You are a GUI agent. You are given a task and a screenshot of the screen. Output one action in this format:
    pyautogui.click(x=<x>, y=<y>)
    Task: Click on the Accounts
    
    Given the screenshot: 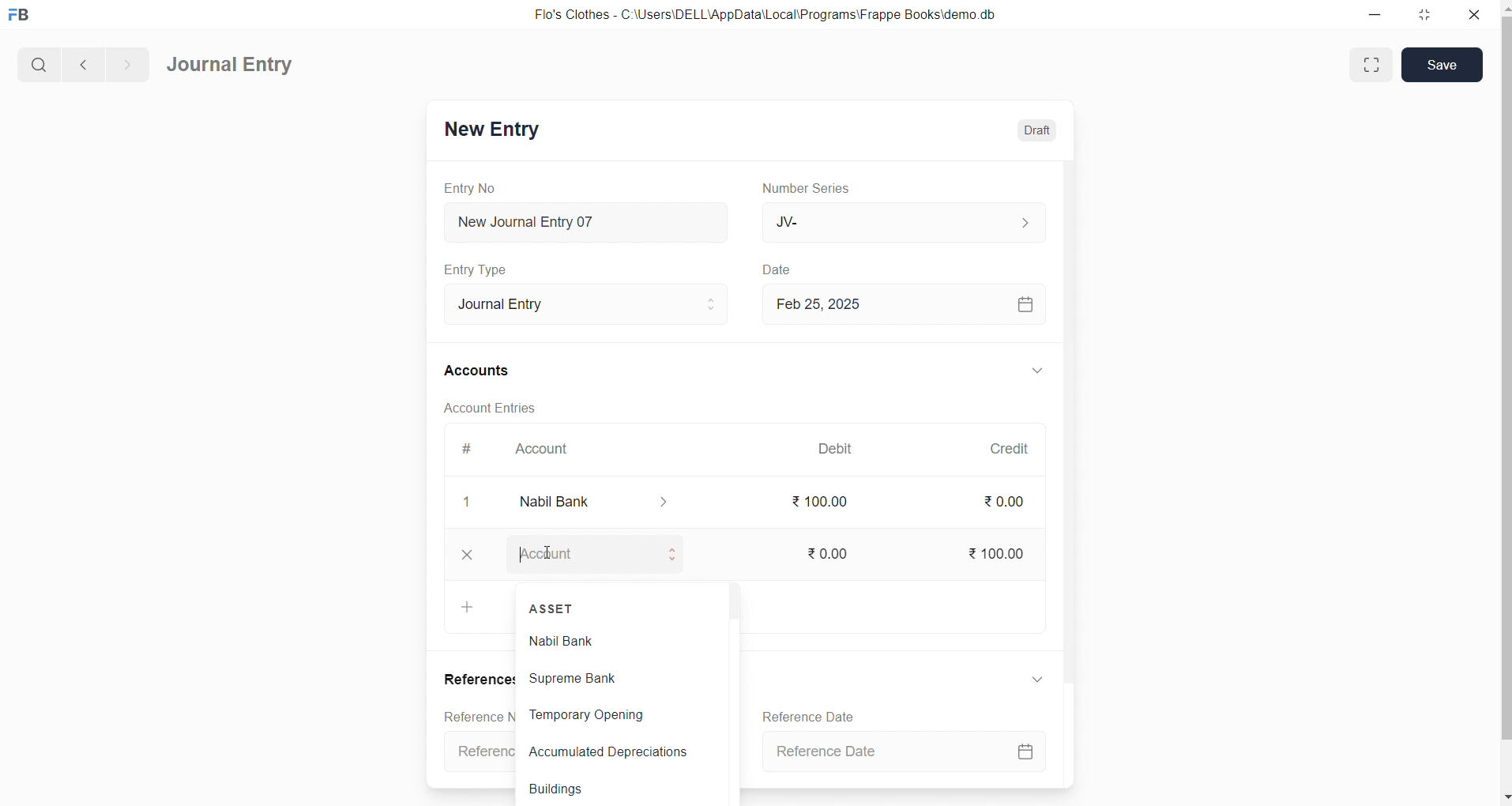 What is the action you would take?
    pyautogui.click(x=486, y=372)
    